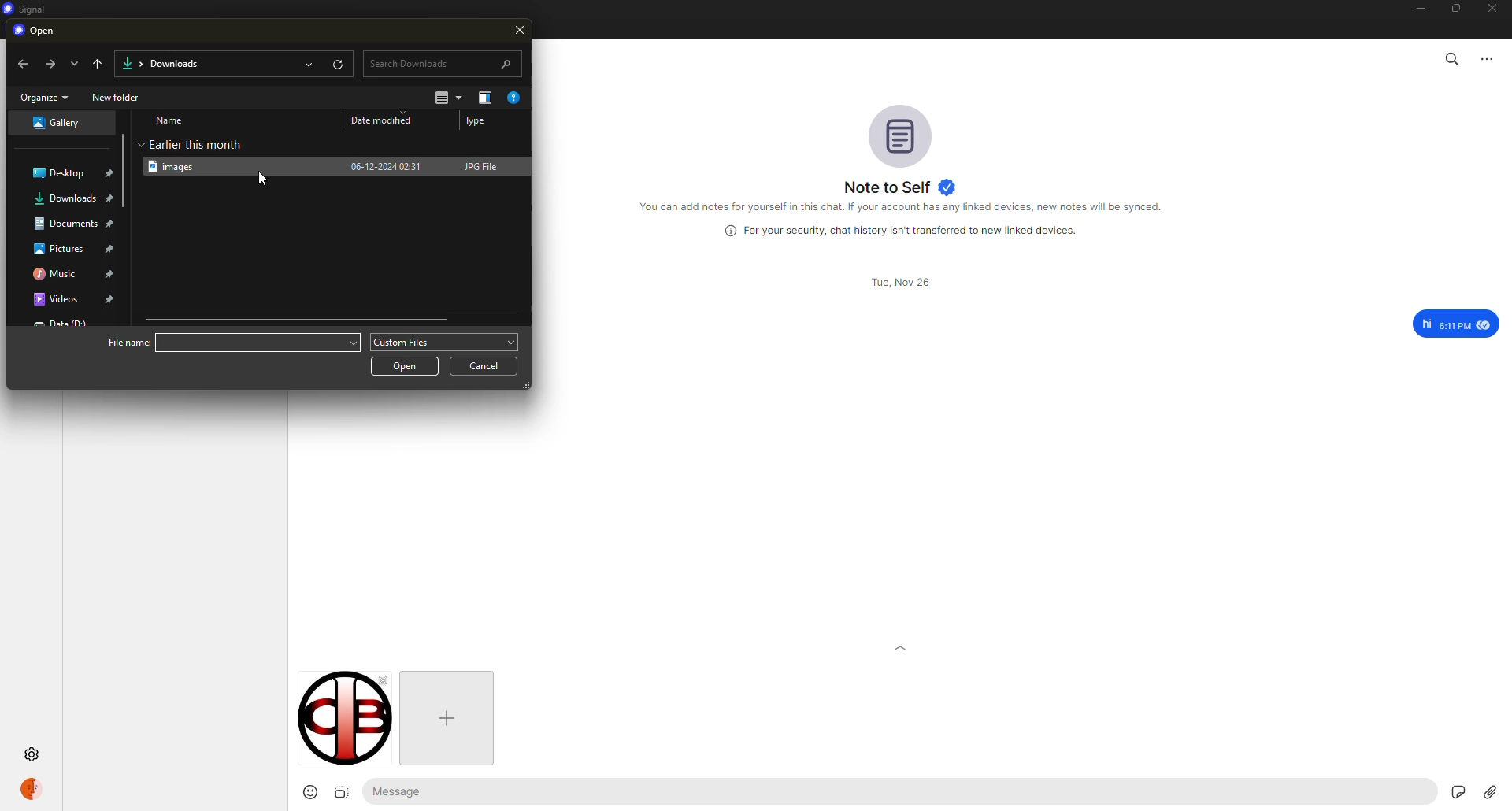 The image size is (1512, 811). I want to click on info, so click(906, 207).